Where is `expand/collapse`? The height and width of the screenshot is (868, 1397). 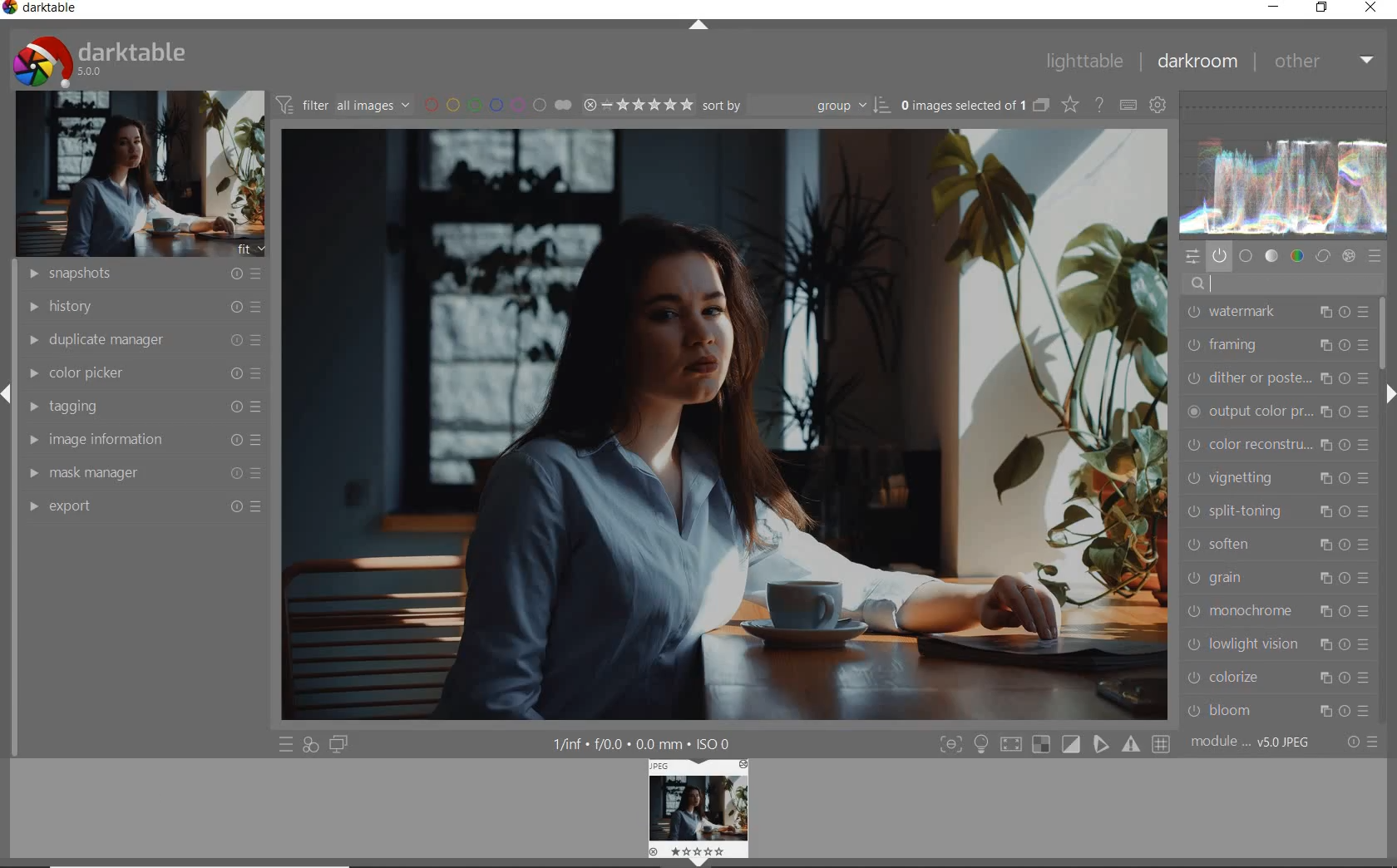
expand/collapse is located at coordinates (1389, 394).